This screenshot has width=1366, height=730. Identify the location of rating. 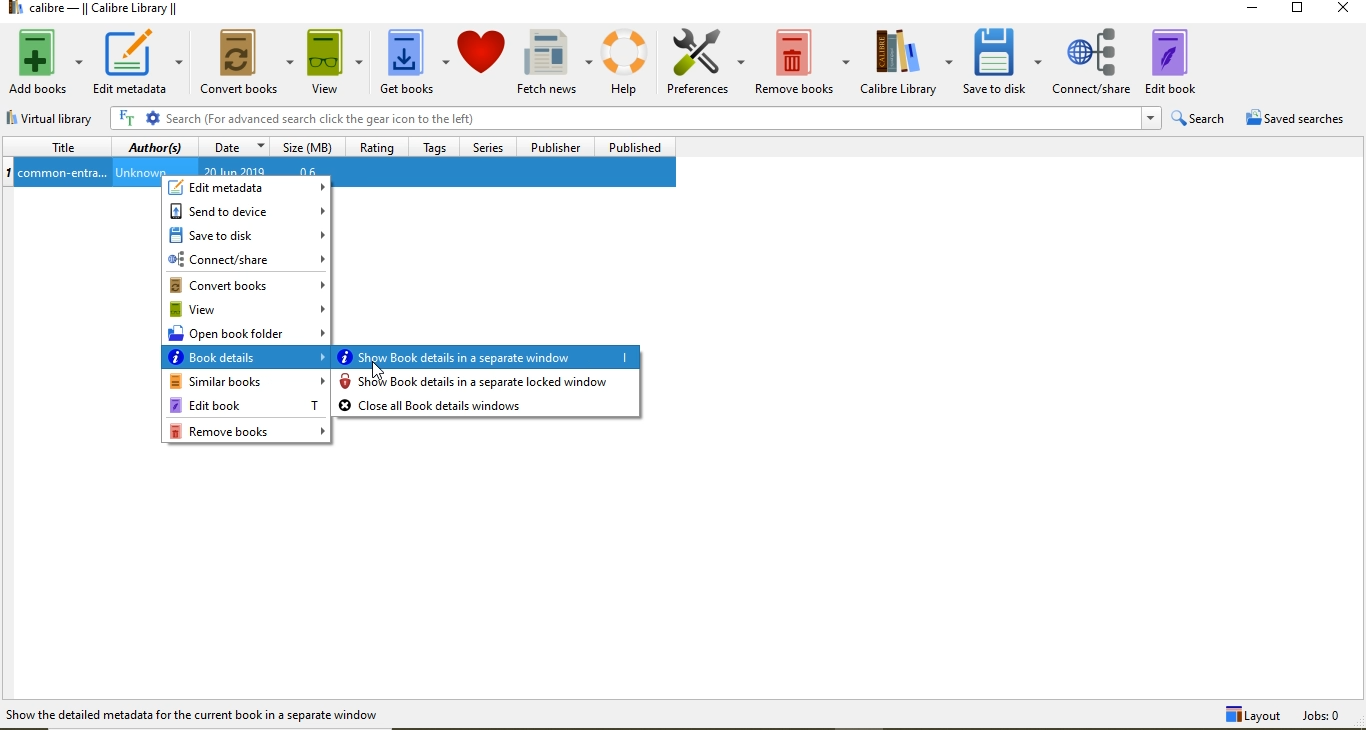
(378, 150).